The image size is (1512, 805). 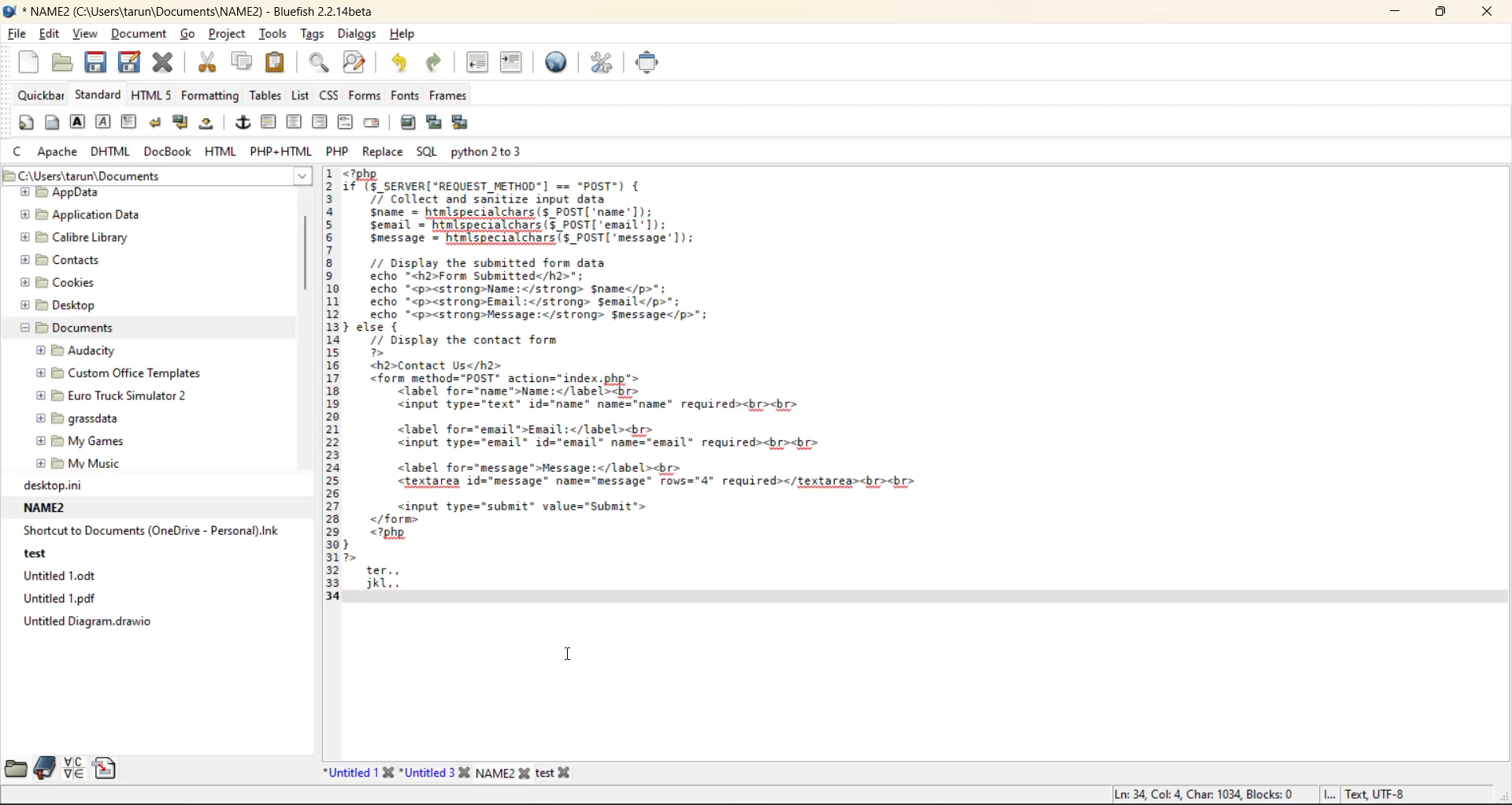 What do you see at coordinates (652, 63) in the screenshot?
I see `fullscreen` at bounding box center [652, 63].